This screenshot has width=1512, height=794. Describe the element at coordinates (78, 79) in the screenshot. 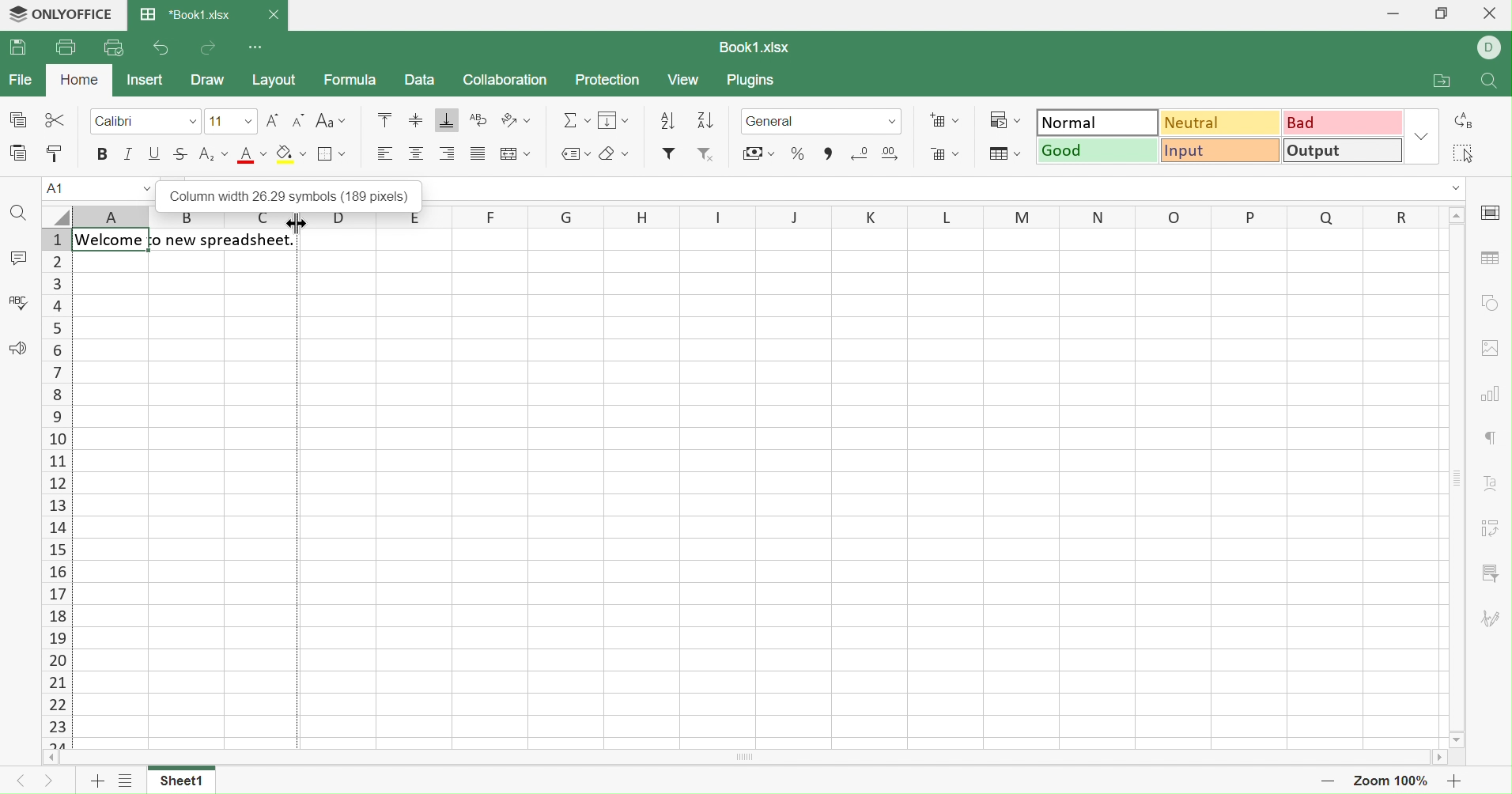

I see `Home` at that location.